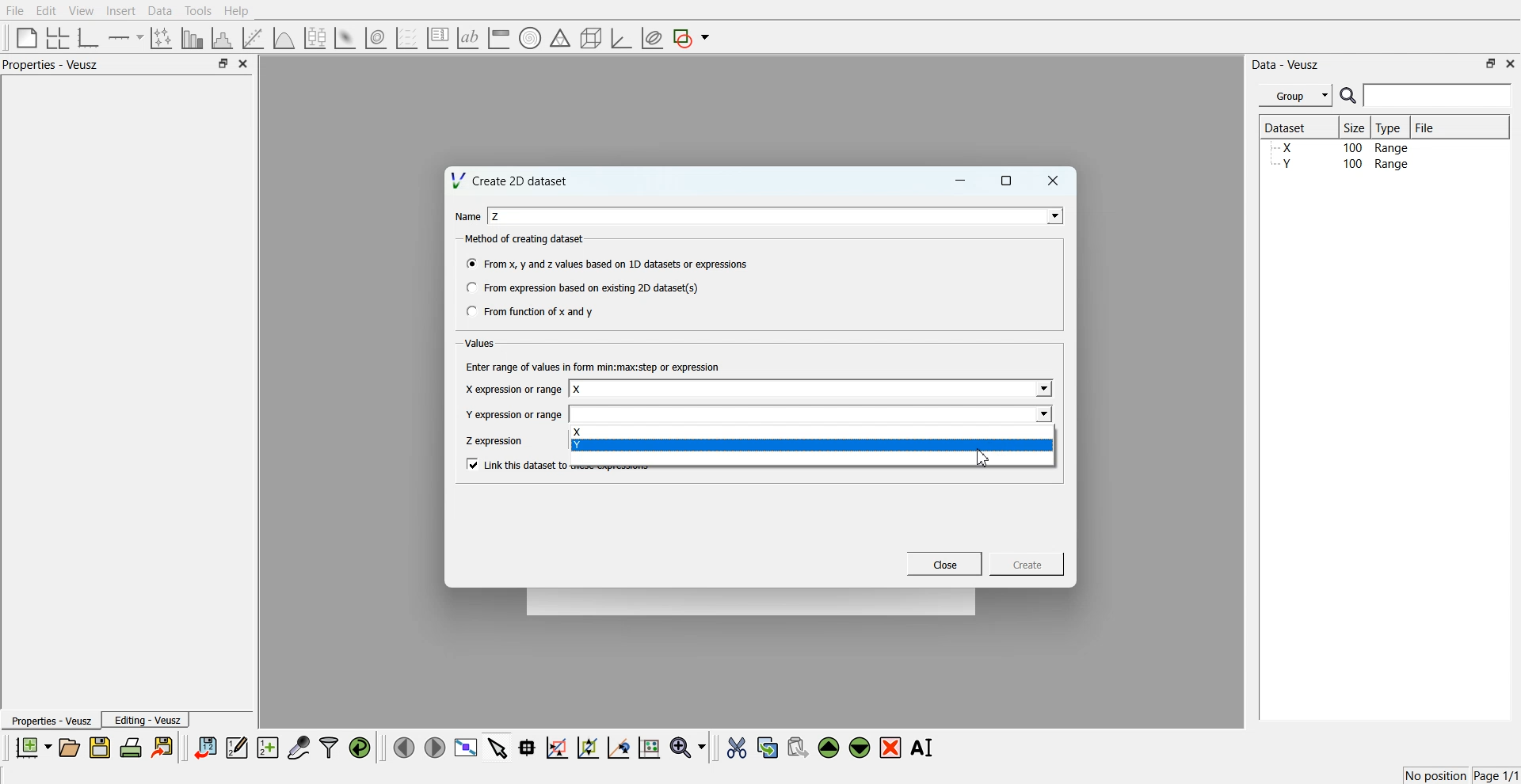 The image size is (1521, 784). What do you see at coordinates (621, 38) in the screenshot?
I see `3D Graph` at bounding box center [621, 38].